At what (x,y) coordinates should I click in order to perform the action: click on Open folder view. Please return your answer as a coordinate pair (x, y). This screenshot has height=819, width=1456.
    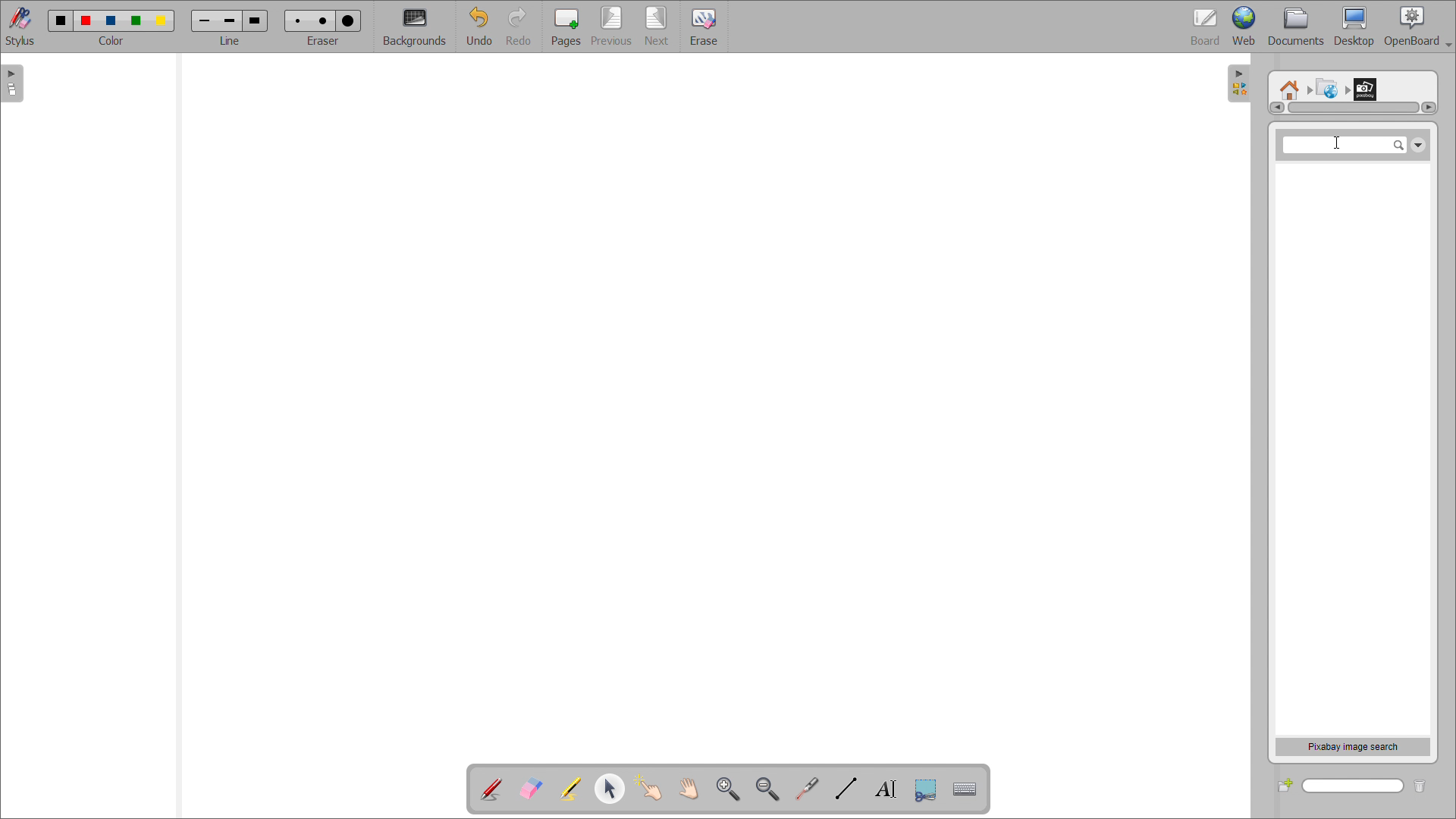
    Looking at the image, I should click on (1245, 86).